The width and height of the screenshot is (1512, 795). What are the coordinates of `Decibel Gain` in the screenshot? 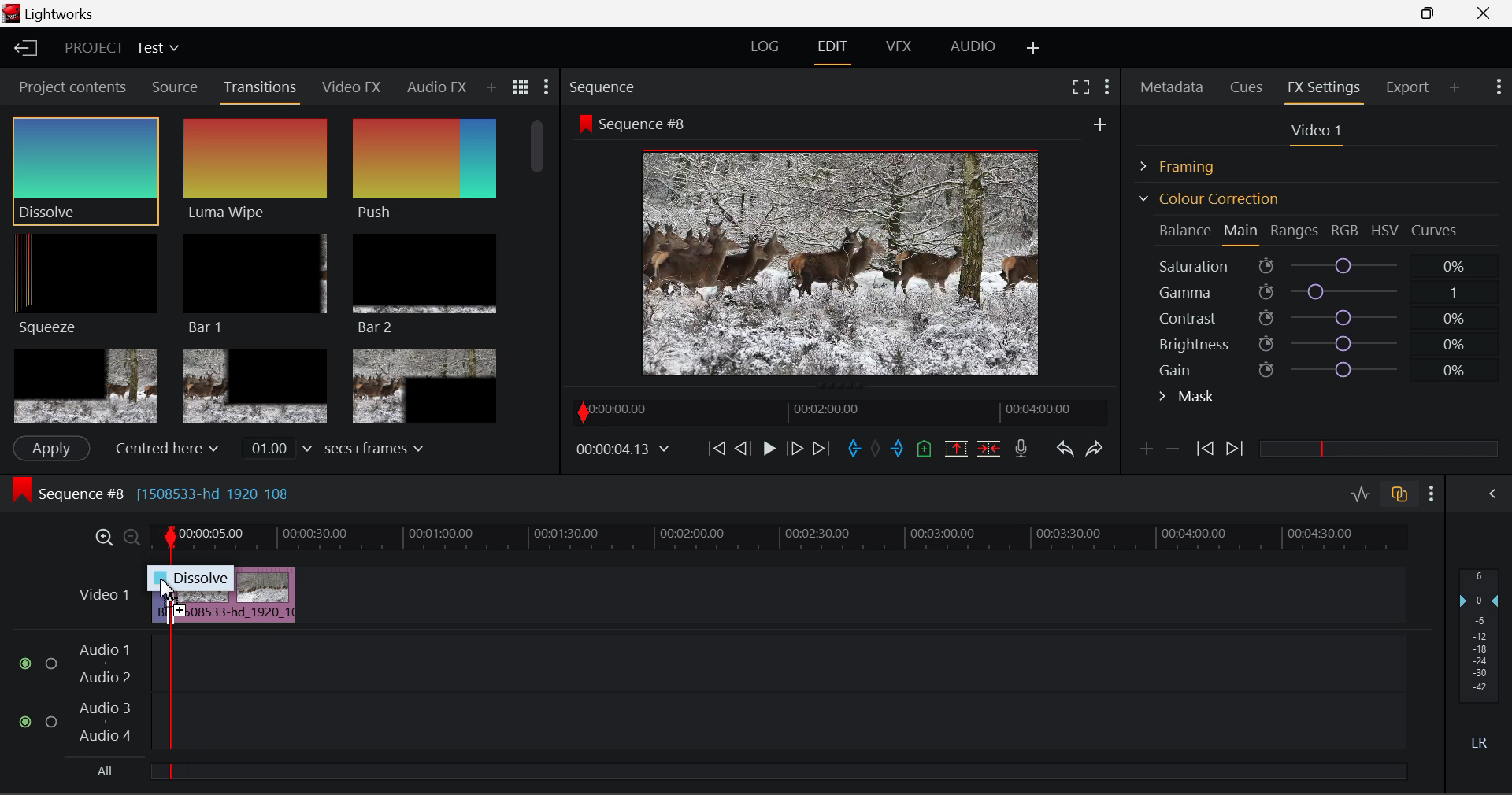 It's located at (1478, 663).